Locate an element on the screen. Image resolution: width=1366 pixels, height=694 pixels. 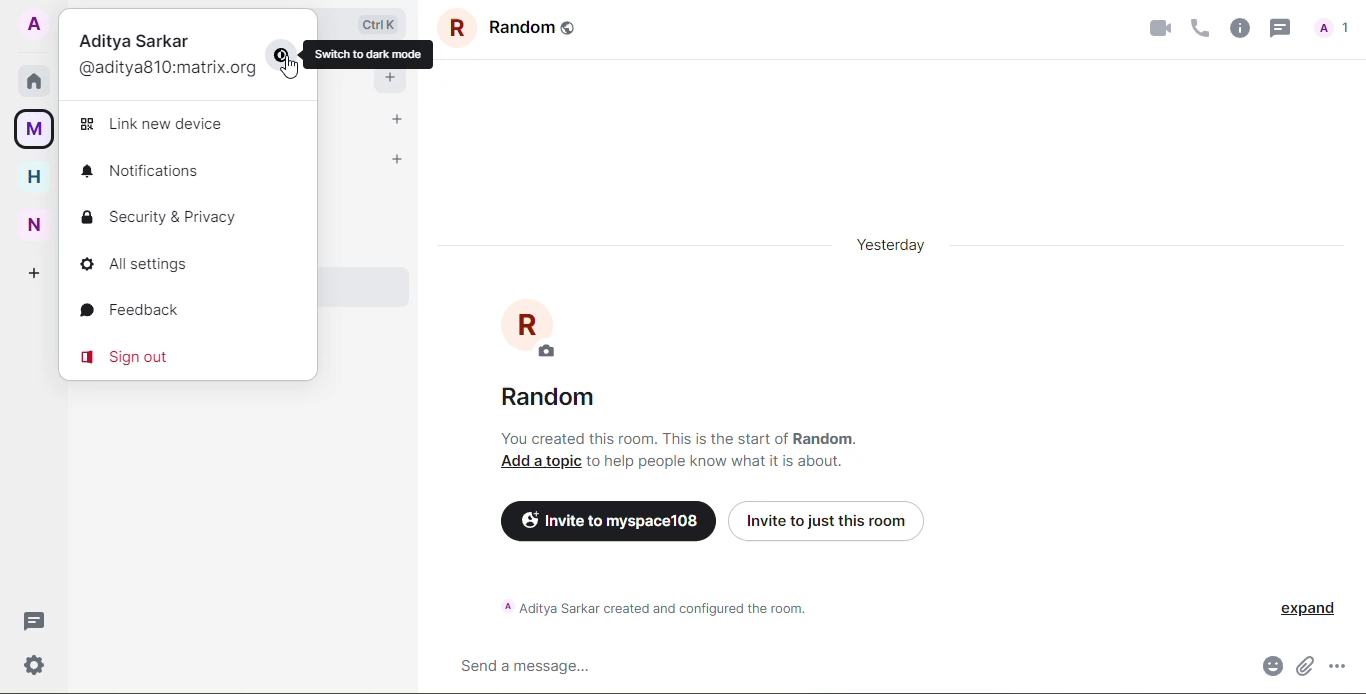
yesterday is located at coordinates (892, 245).